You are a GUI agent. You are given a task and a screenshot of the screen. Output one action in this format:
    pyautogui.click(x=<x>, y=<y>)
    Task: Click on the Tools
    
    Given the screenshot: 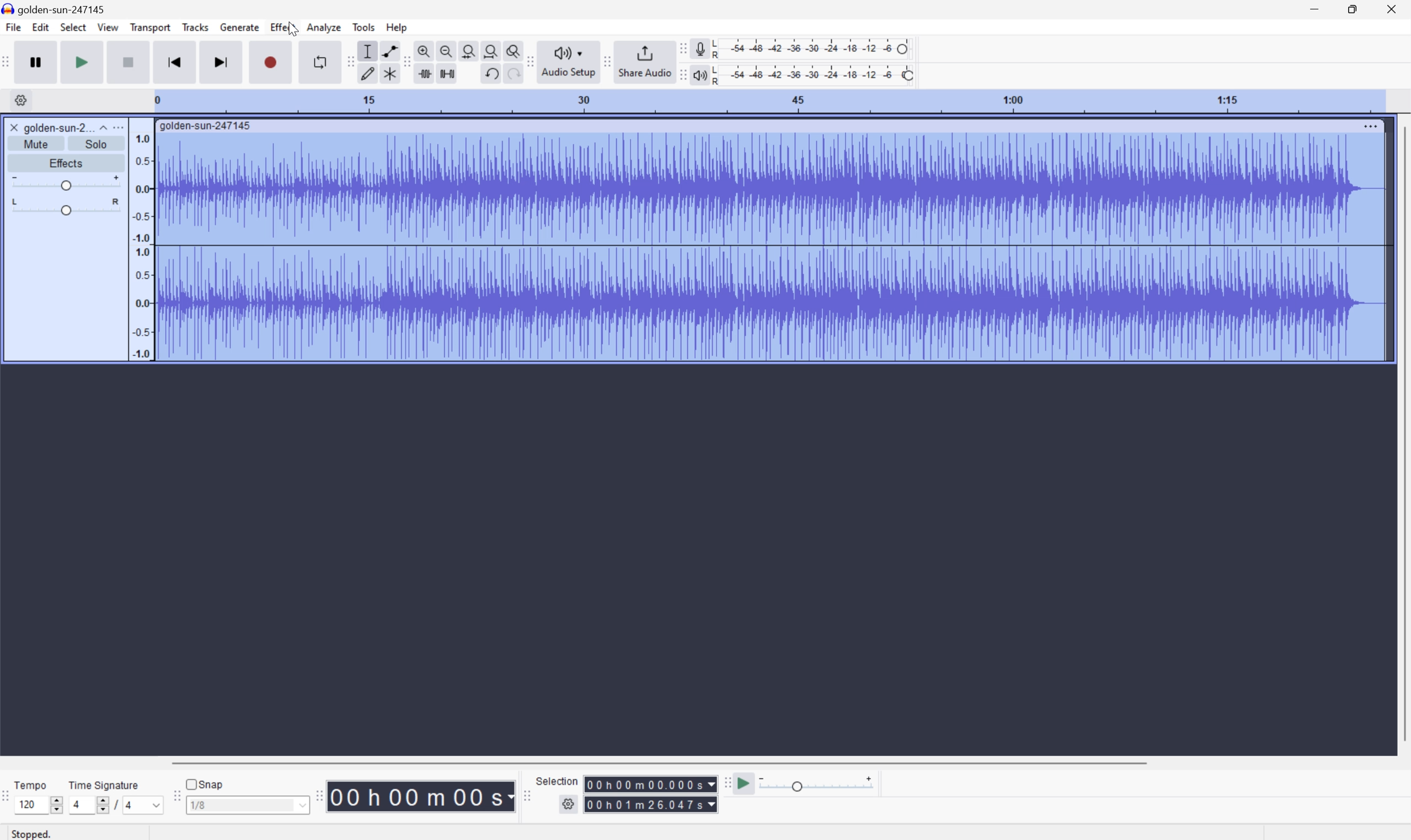 What is the action you would take?
    pyautogui.click(x=363, y=27)
    